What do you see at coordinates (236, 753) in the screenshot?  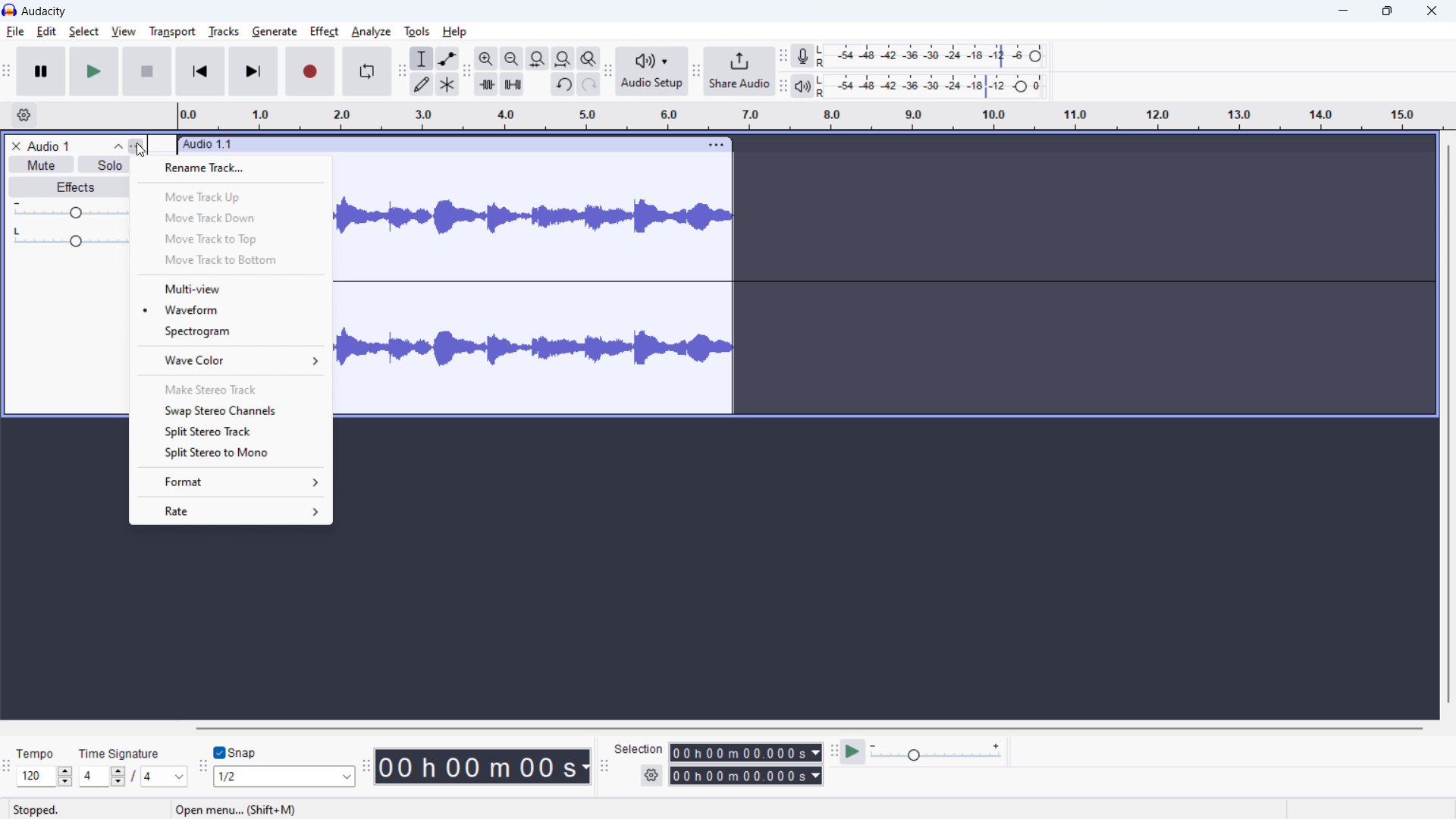 I see `toggle snap` at bounding box center [236, 753].